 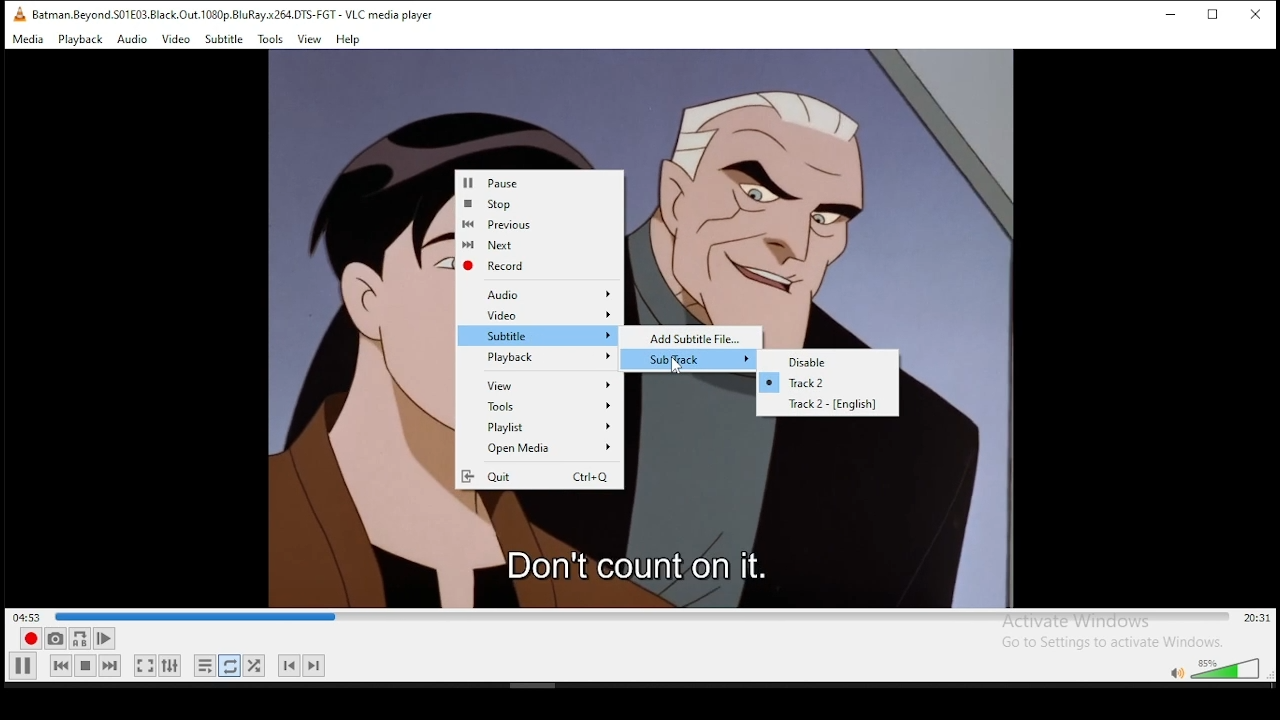 What do you see at coordinates (23, 666) in the screenshot?
I see `play` at bounding box center [23, 666].